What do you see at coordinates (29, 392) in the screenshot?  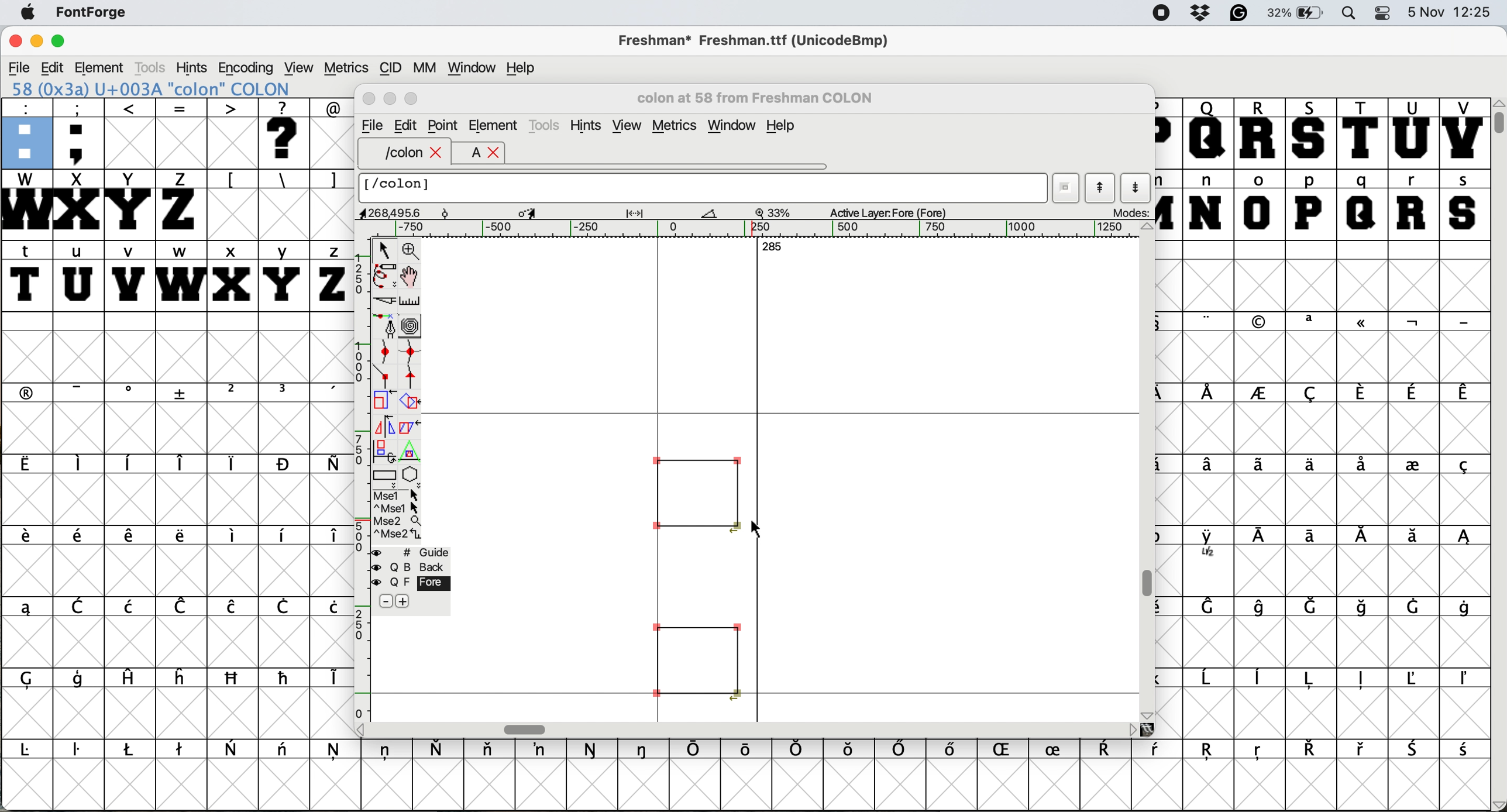 I see `symbol` at bounding box center [29, 392].